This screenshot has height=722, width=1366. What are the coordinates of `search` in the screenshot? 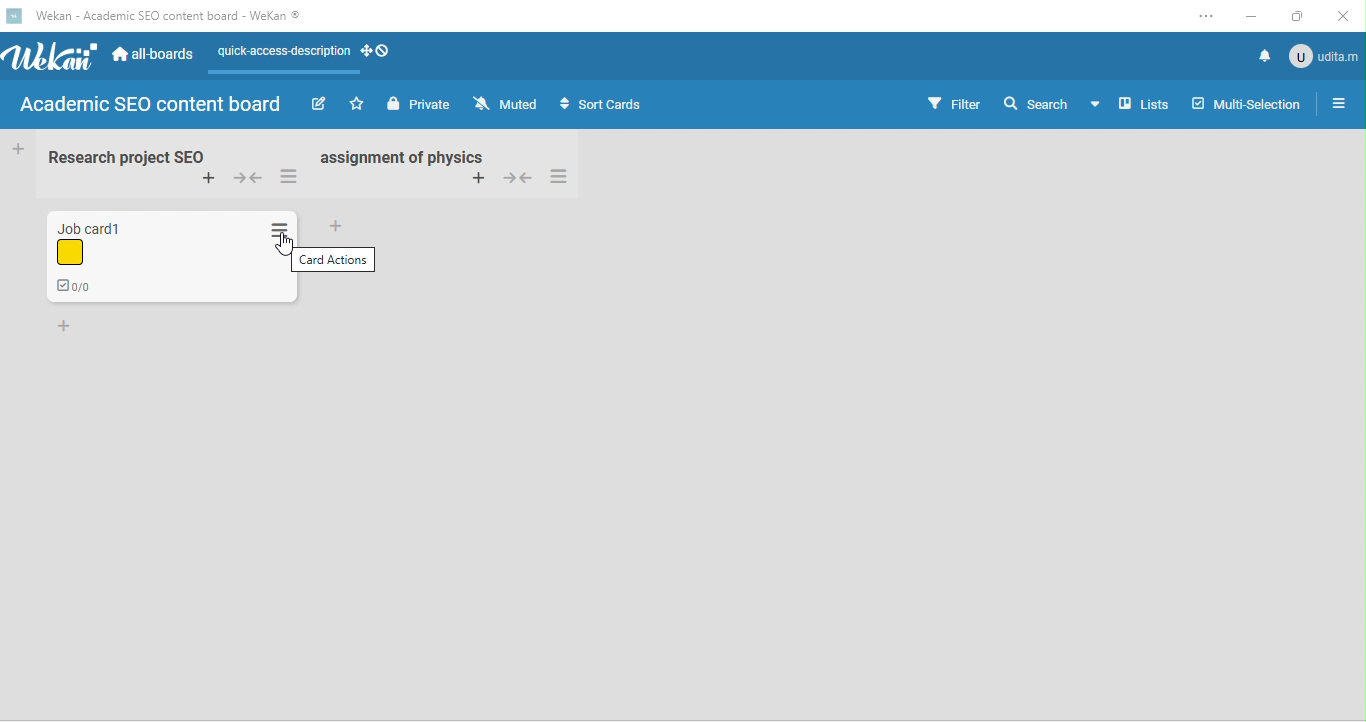 It's located at (1033, 103).